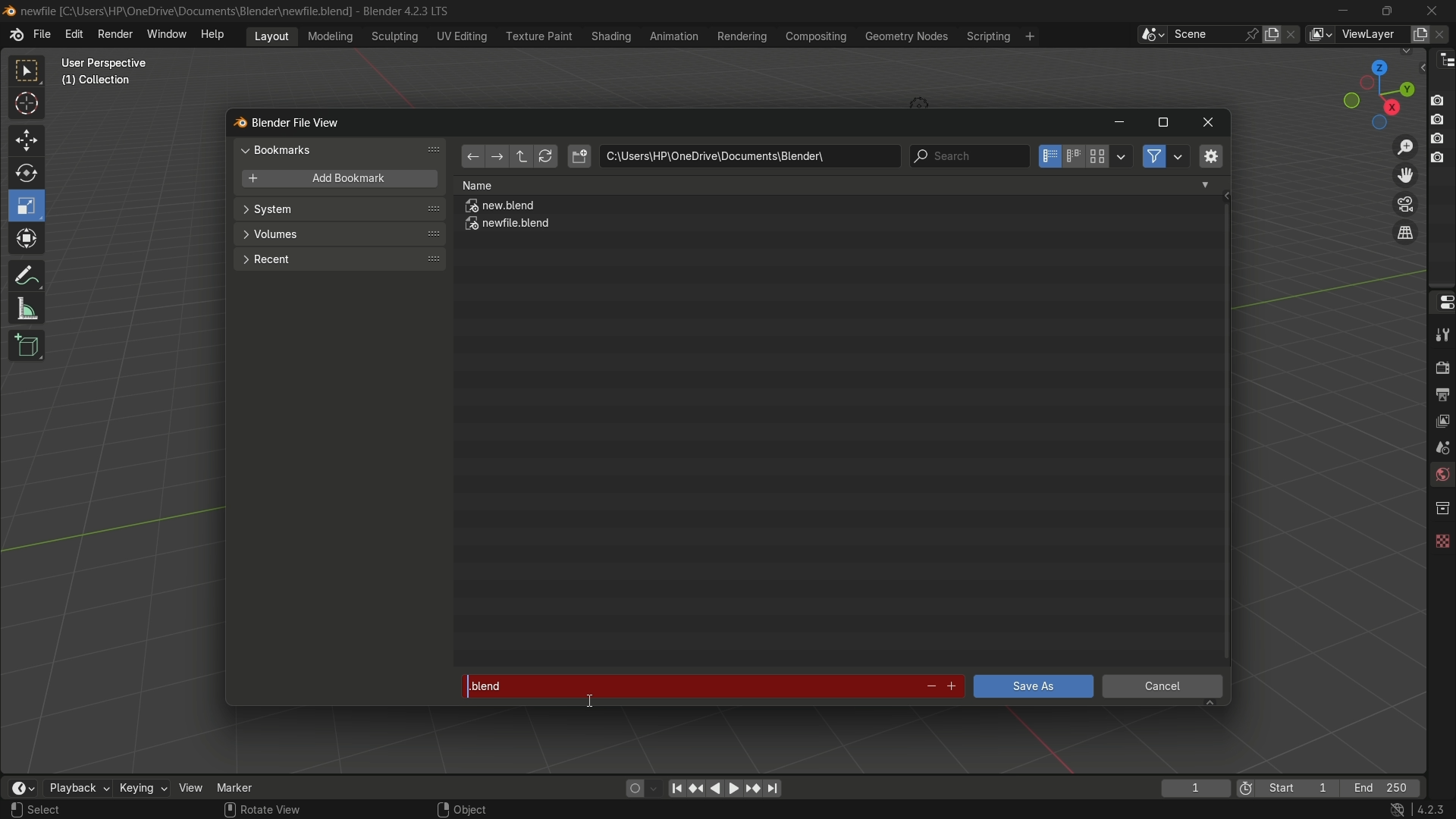 The image size is (1456, 819). I want to click on remove view layer, so click(1443, 33).